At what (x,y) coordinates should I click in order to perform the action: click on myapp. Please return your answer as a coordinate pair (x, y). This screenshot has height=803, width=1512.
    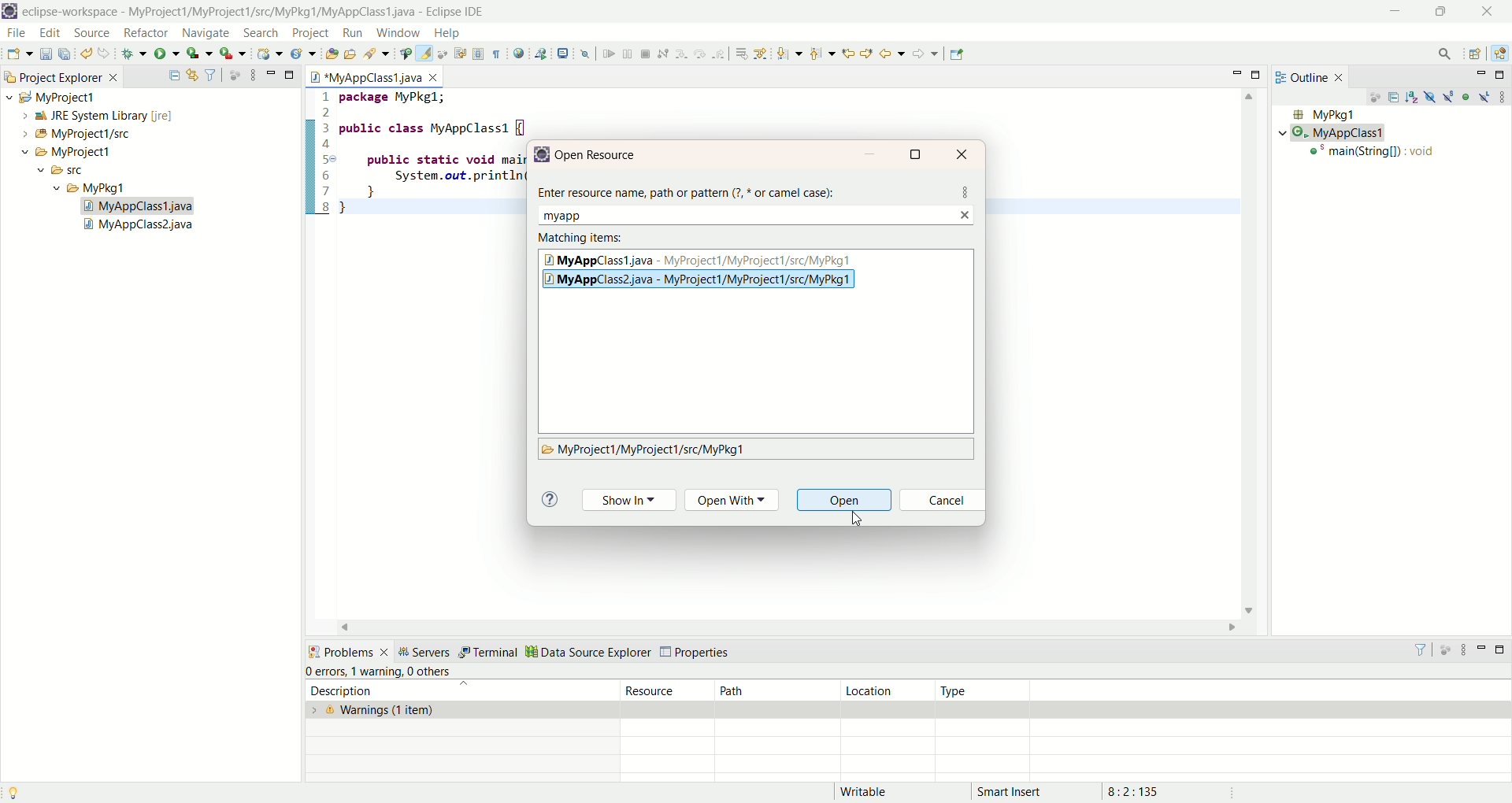
    Looking at the image, I should click on (569, 215).